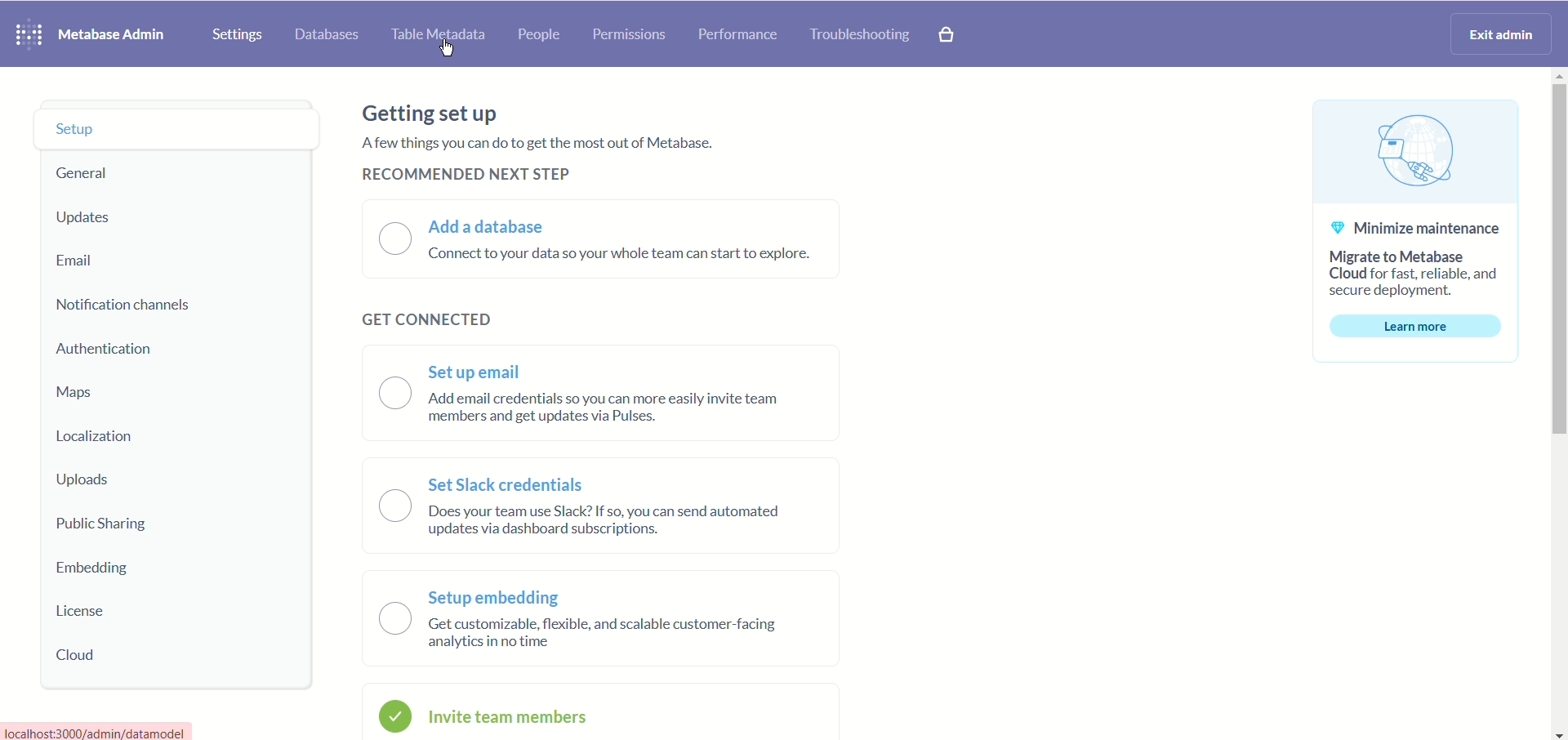 The width and height of the screenshot is (1568, 740). What do you see at coordinates (112, 263) in the screenshot?
I see `Email` at bounding box center [112, 263].